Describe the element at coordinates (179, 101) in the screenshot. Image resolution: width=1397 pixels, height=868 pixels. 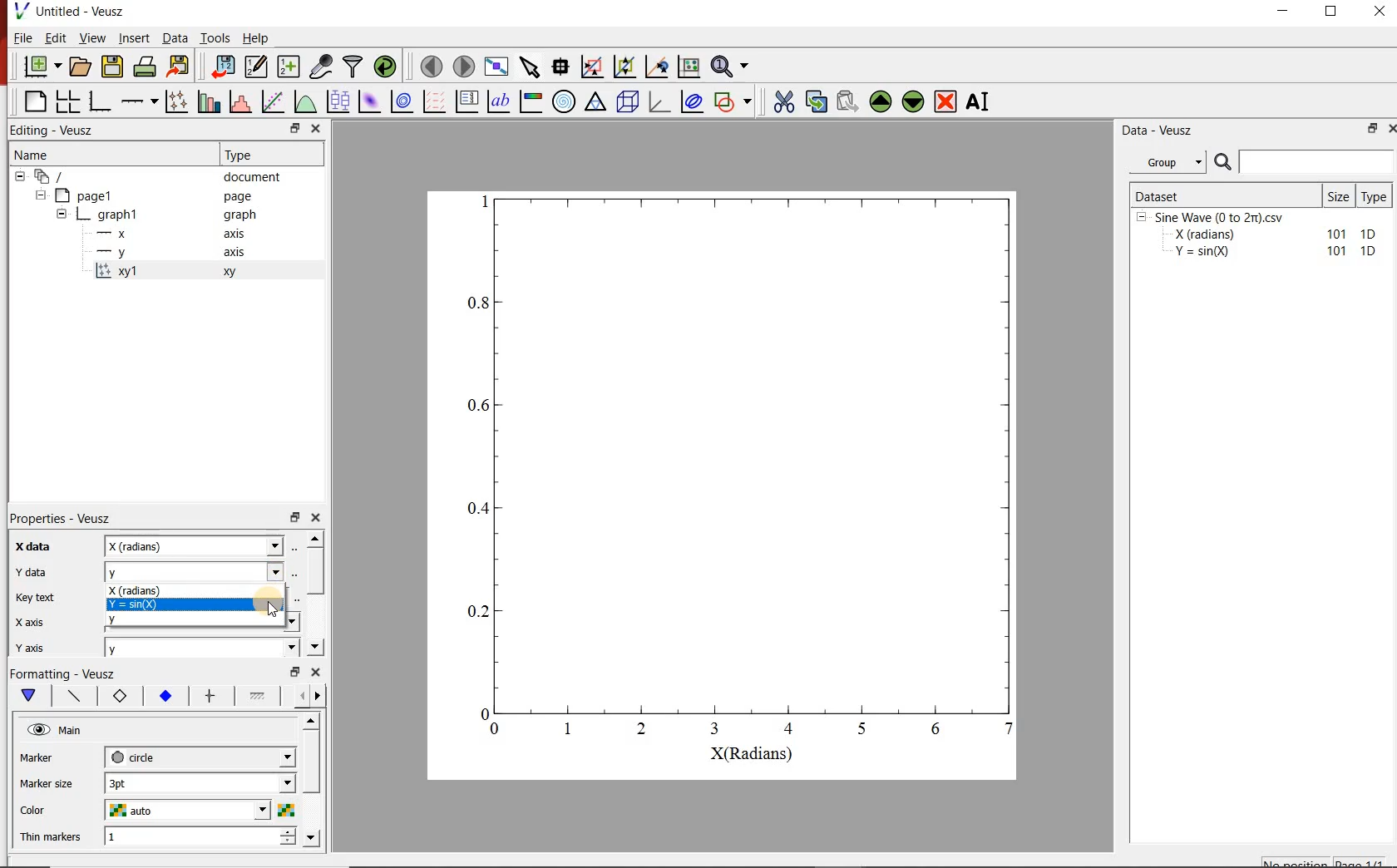
I see `plot points` at that location.